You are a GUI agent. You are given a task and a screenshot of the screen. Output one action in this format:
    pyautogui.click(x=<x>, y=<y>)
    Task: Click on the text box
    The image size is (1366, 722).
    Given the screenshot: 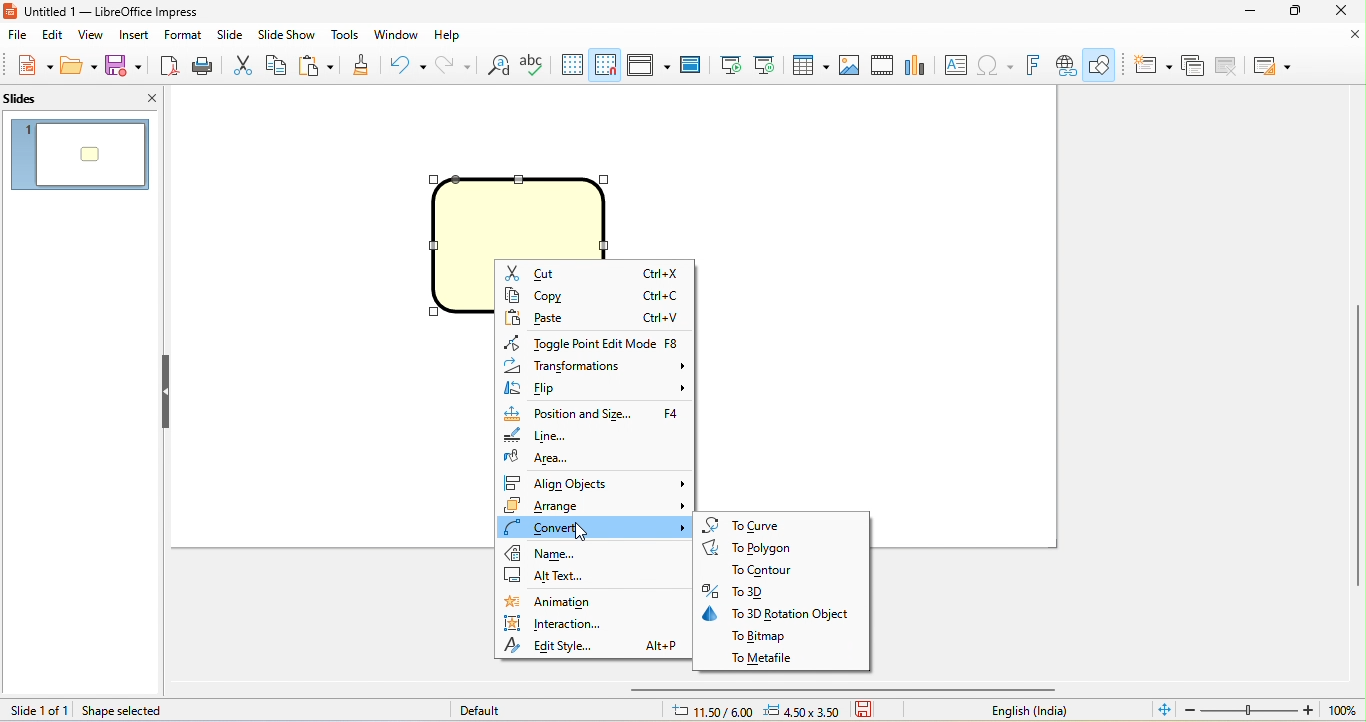 What is the action you would take?
    pyautogui.click(x=958, y=67)
    